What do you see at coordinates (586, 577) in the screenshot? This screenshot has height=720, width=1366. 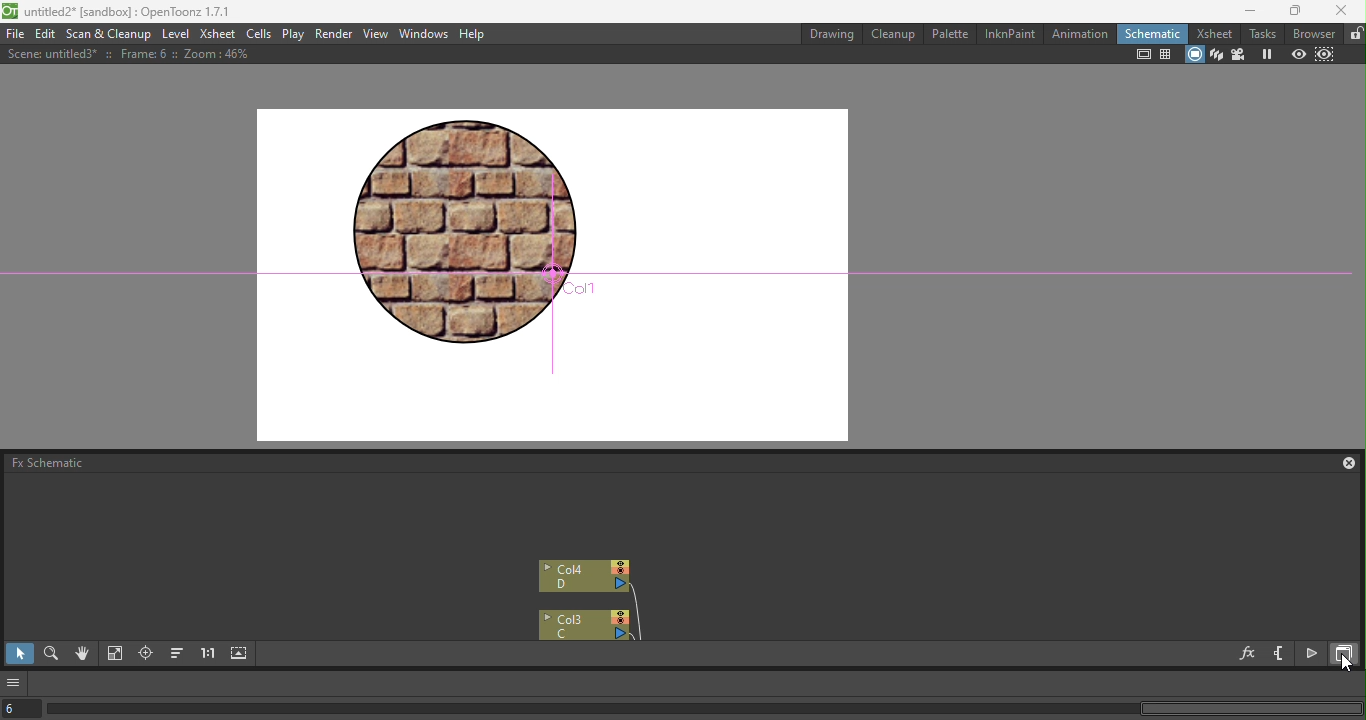 I see `Col4: D` at bounding box center [586, 577].